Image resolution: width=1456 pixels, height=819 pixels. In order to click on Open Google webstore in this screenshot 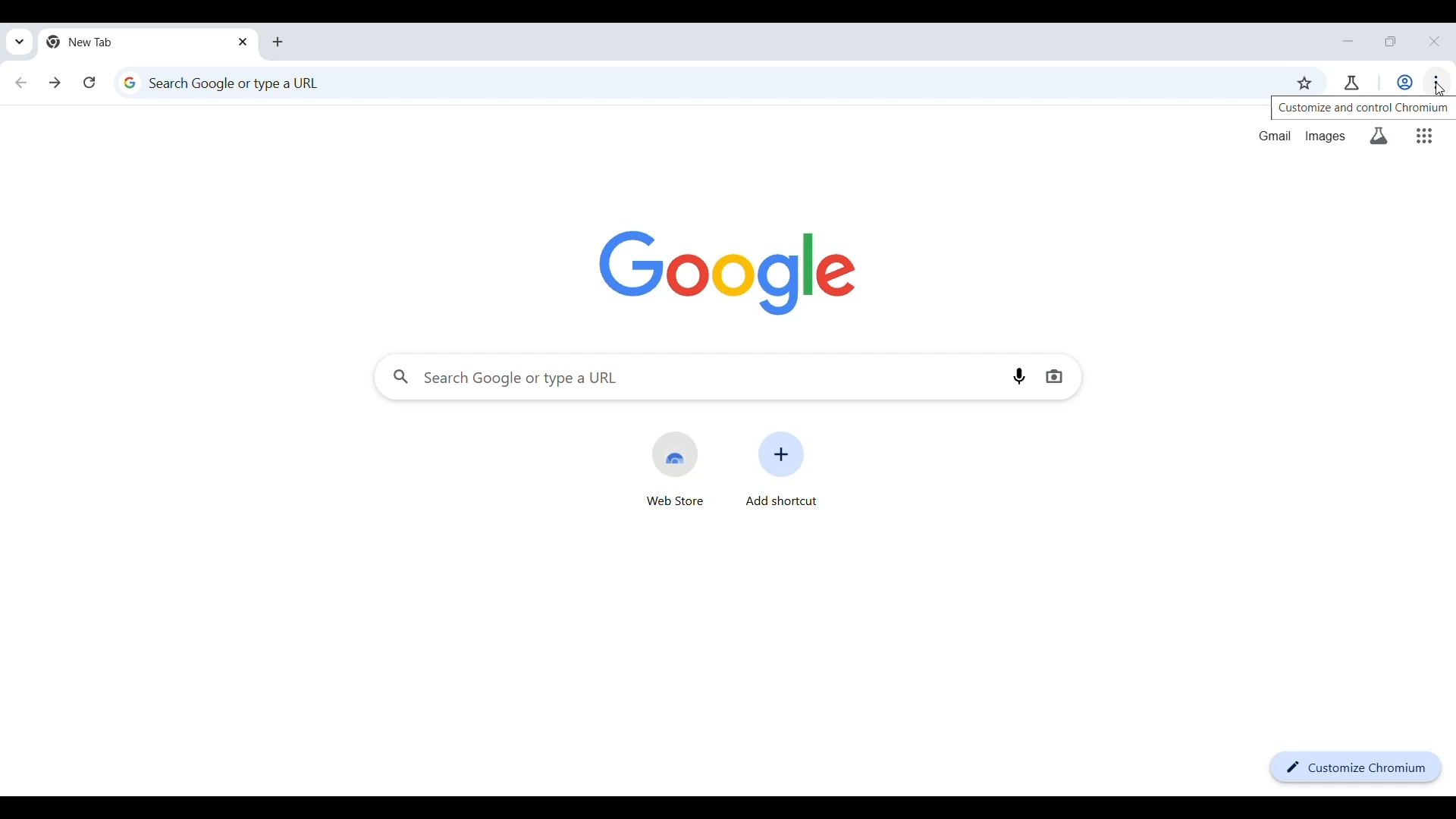, I will do `click(674, 469)`.